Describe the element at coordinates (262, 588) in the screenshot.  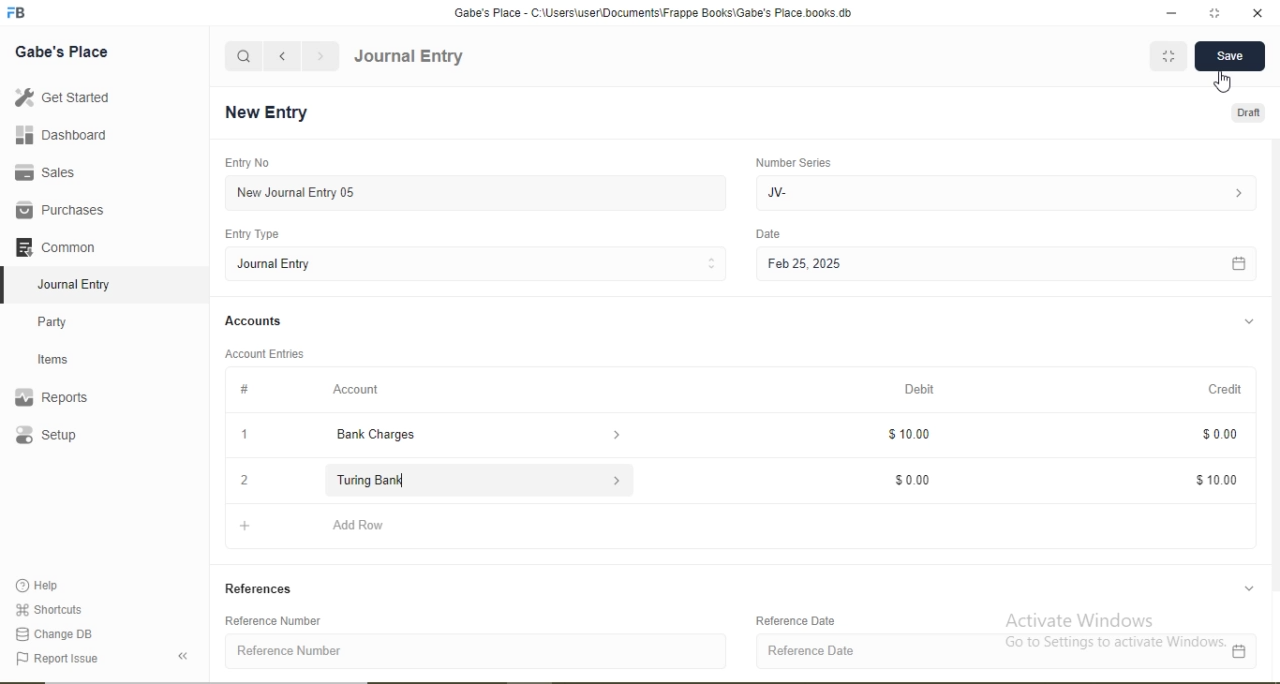
I see `References.` at that location.